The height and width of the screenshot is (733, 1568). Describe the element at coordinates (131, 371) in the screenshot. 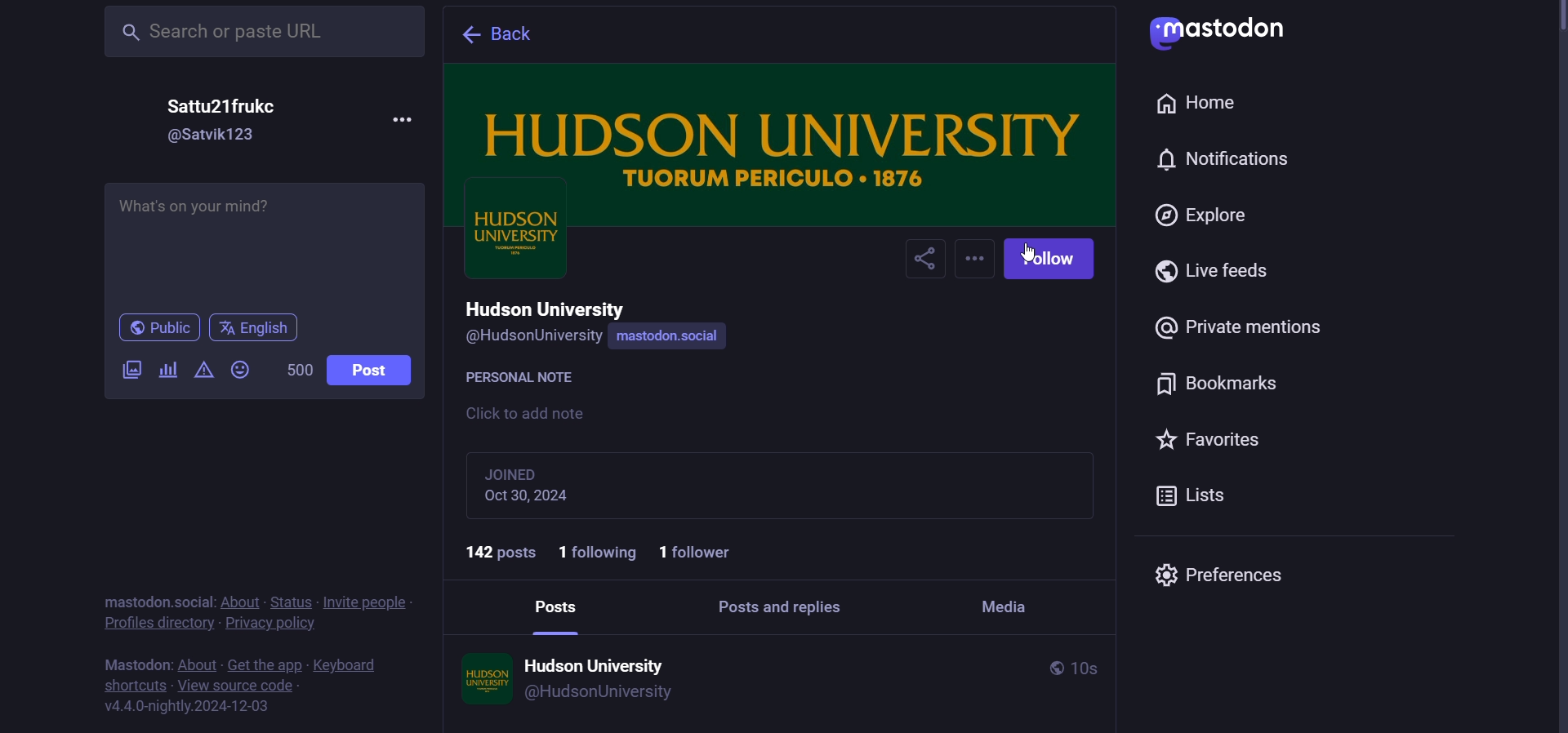

I see `images/videos` at that location.